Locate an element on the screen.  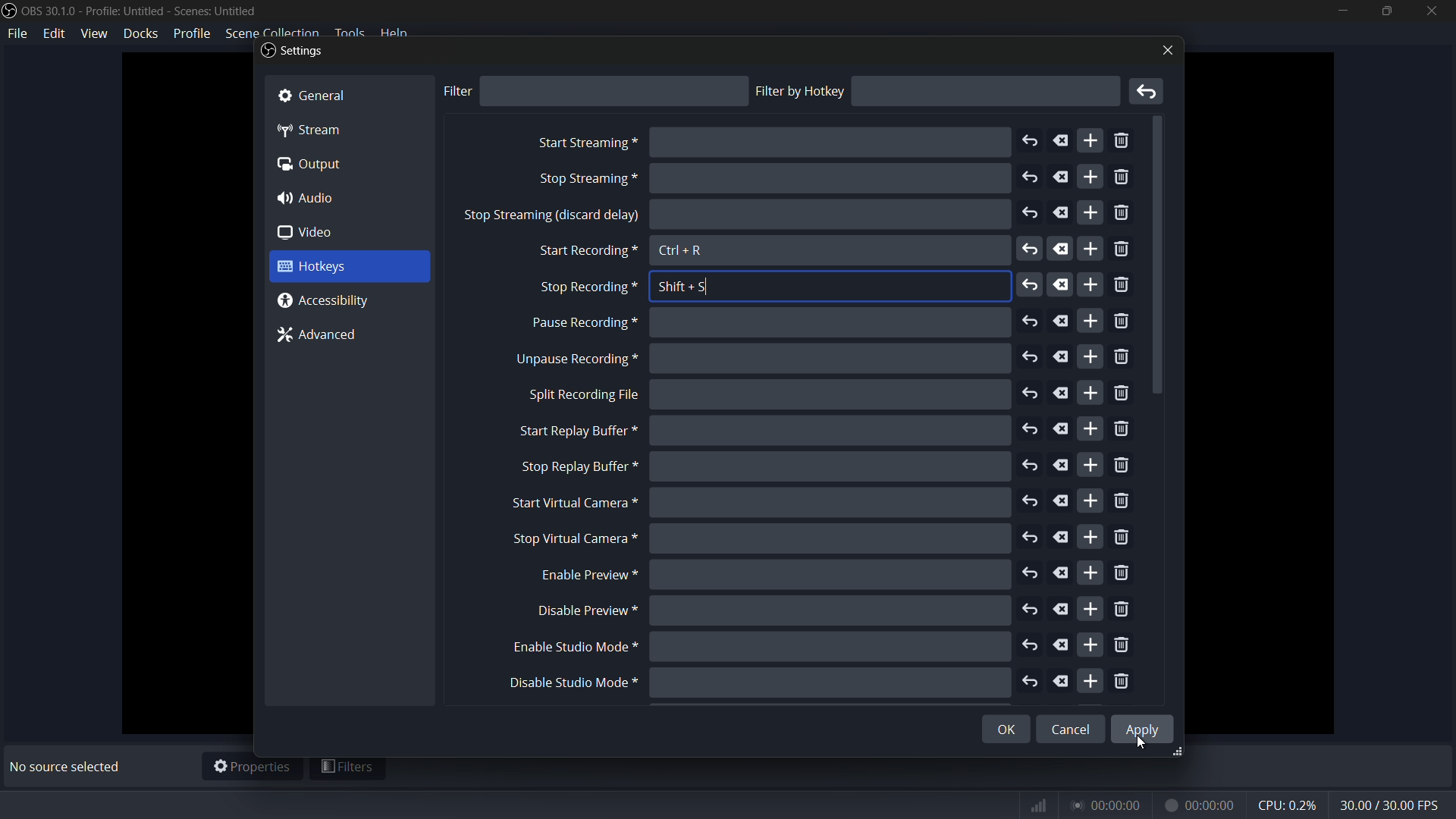
delete is located at coordinates (1062, 356).